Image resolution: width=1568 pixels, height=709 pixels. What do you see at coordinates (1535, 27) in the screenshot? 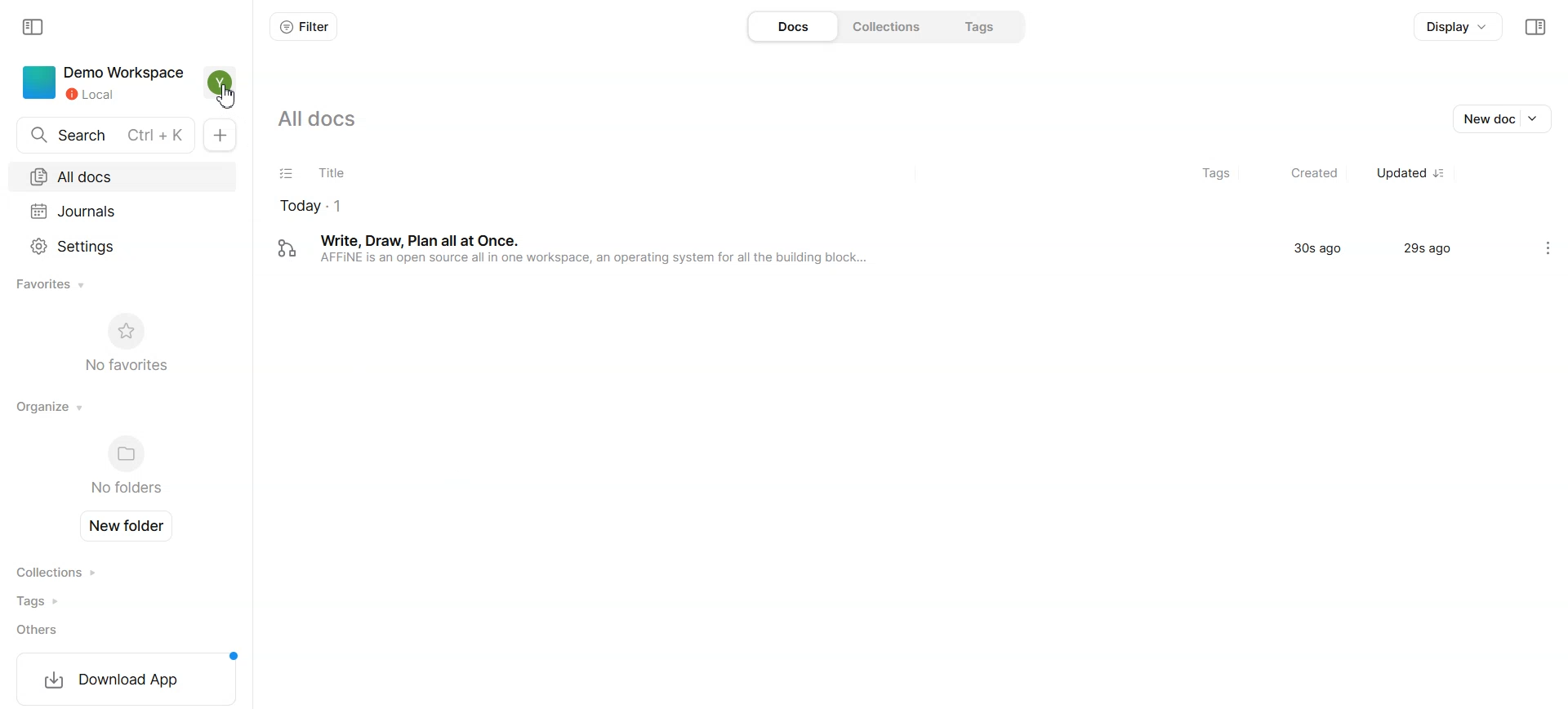
I see `Collapse sidebar` at bounding box center [1535, 27].